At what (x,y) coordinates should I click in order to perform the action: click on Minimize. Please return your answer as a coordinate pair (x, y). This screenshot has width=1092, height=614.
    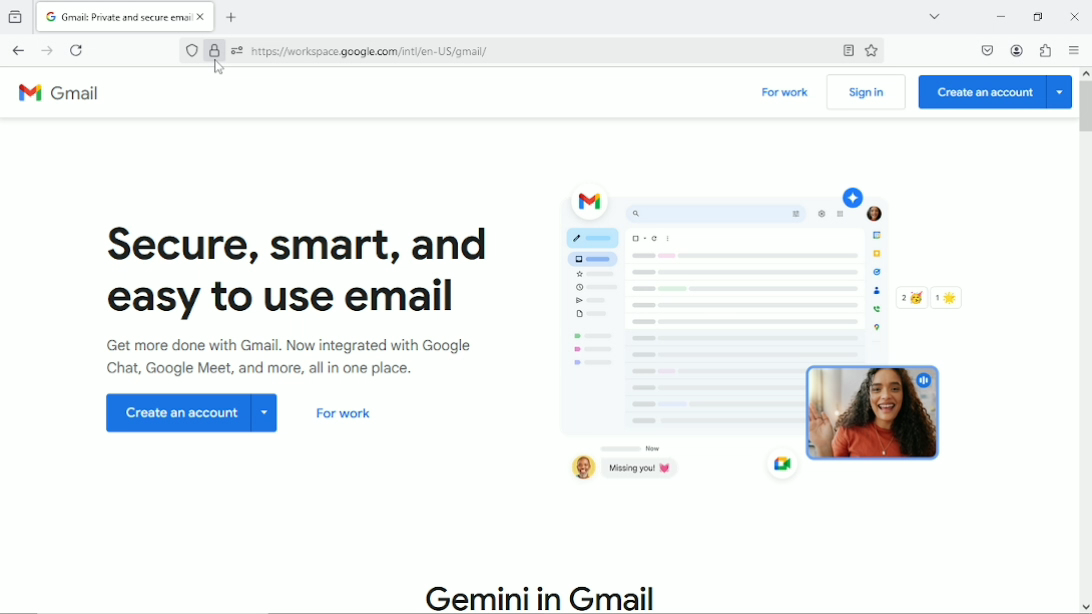
    Looking at the image, I should click on (999, 15).